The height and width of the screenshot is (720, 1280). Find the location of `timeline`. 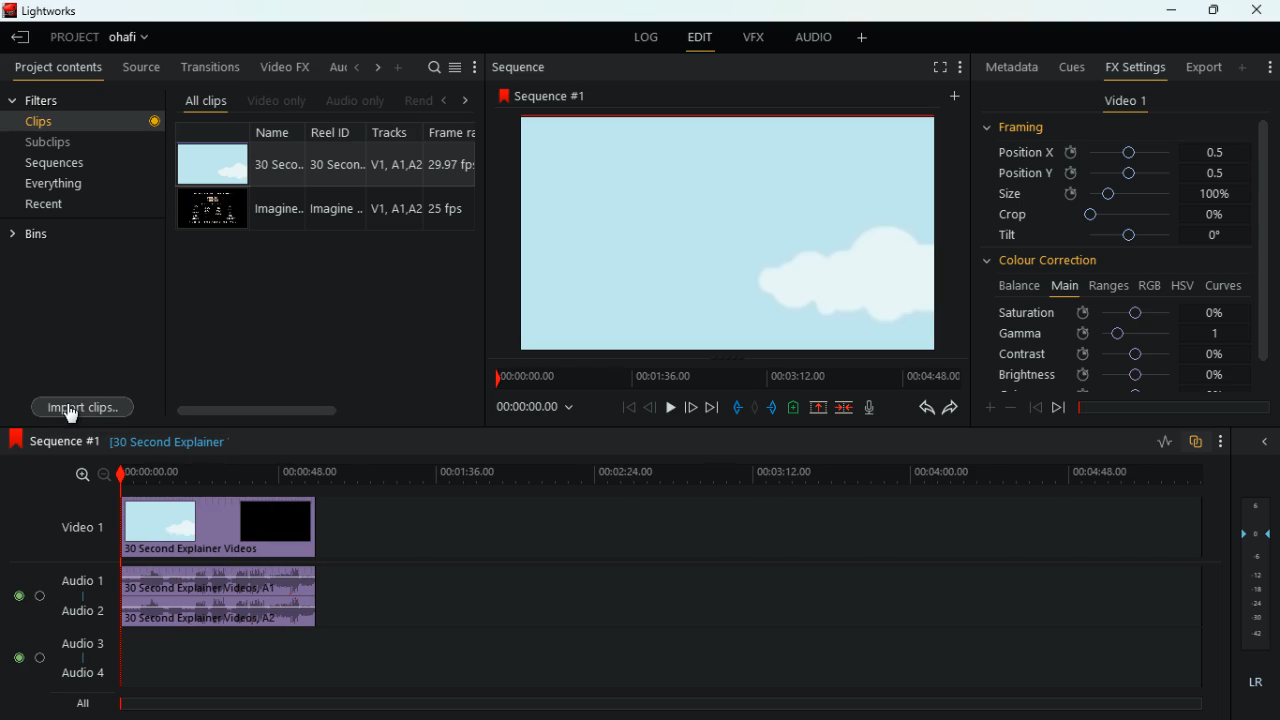

timeline is located at coordinates (651, 704).